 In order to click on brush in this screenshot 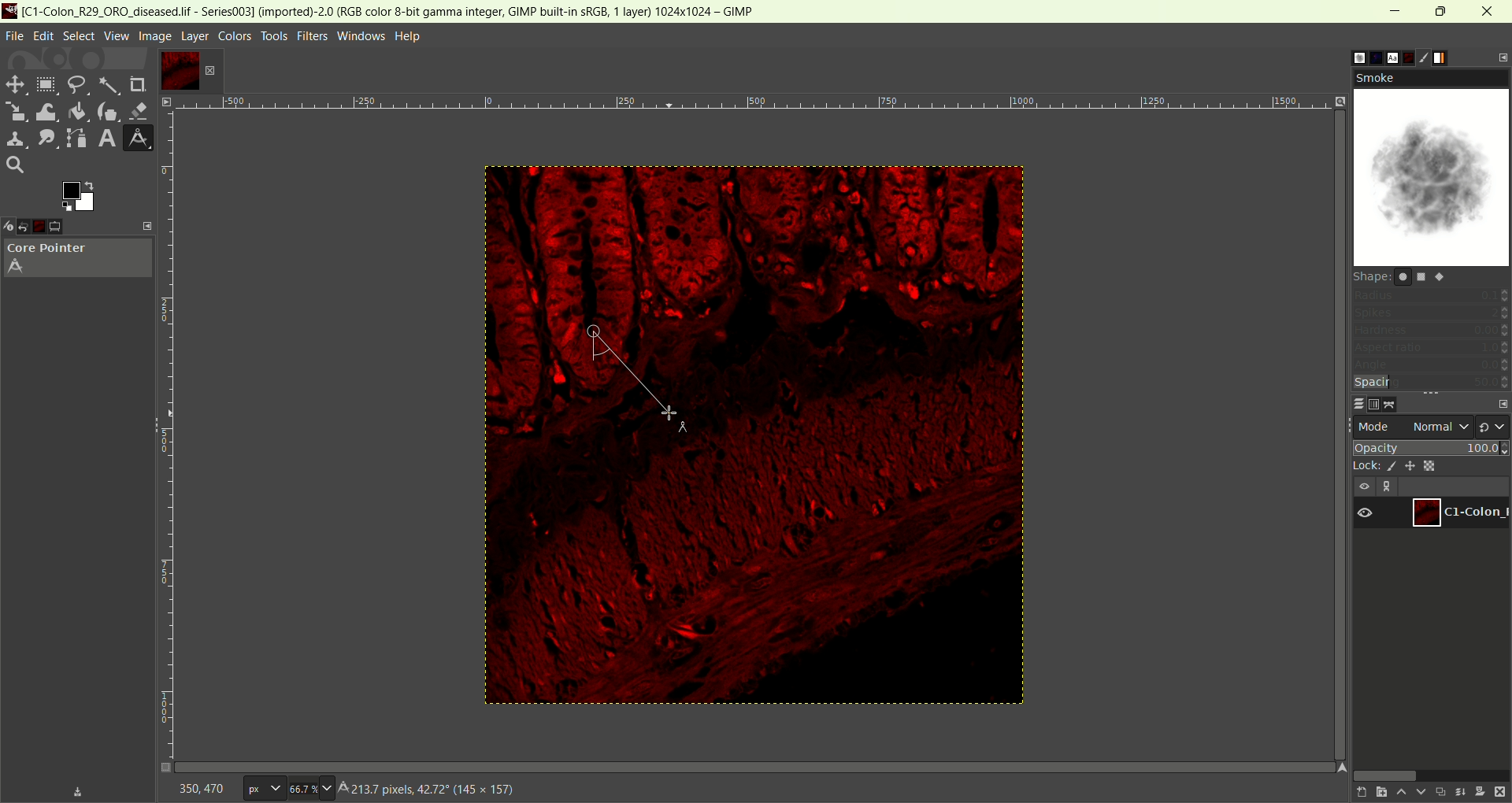, I will do `click(1430, 56)`.